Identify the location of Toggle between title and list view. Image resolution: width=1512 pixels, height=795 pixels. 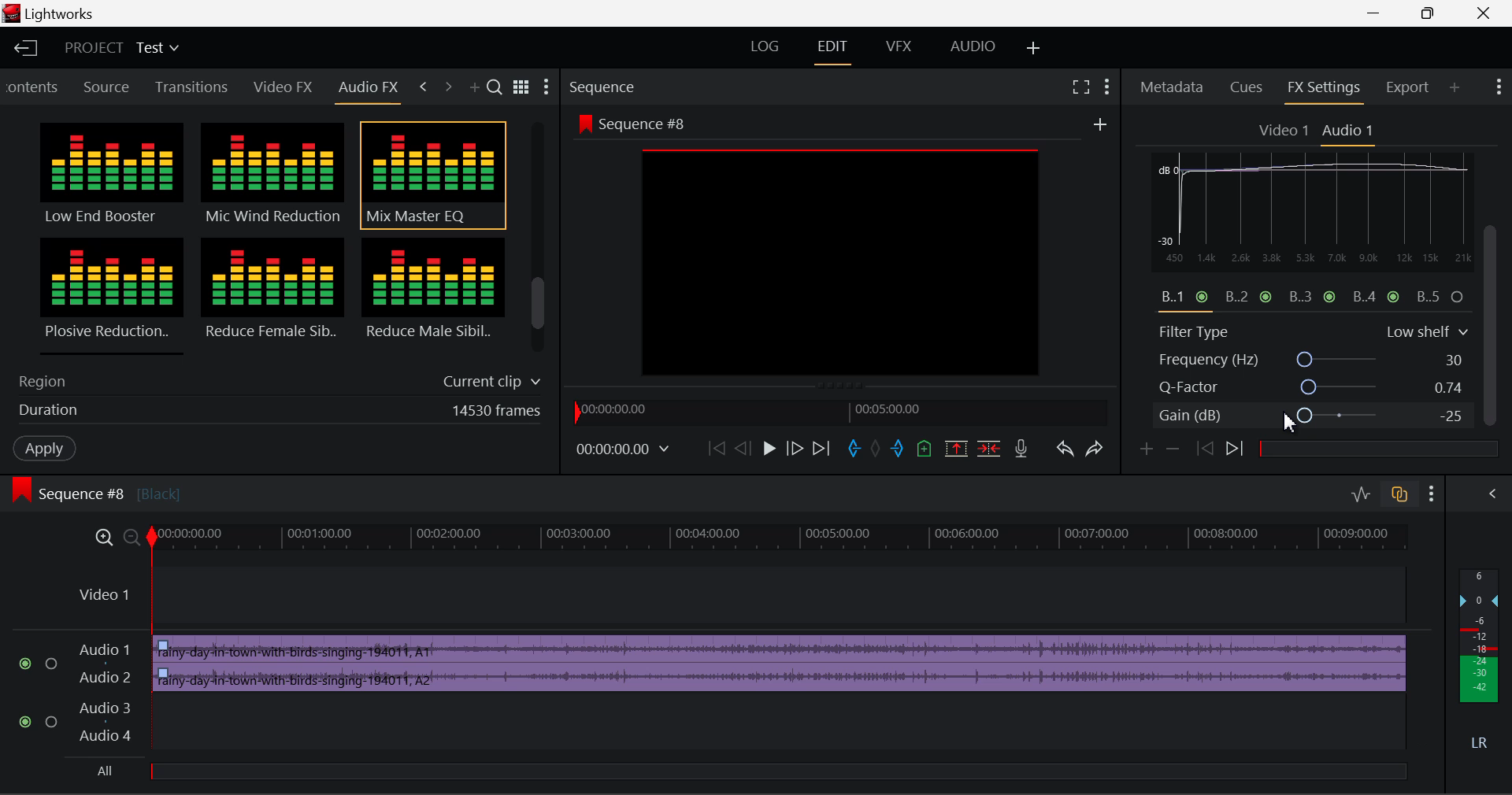
(524, 85).